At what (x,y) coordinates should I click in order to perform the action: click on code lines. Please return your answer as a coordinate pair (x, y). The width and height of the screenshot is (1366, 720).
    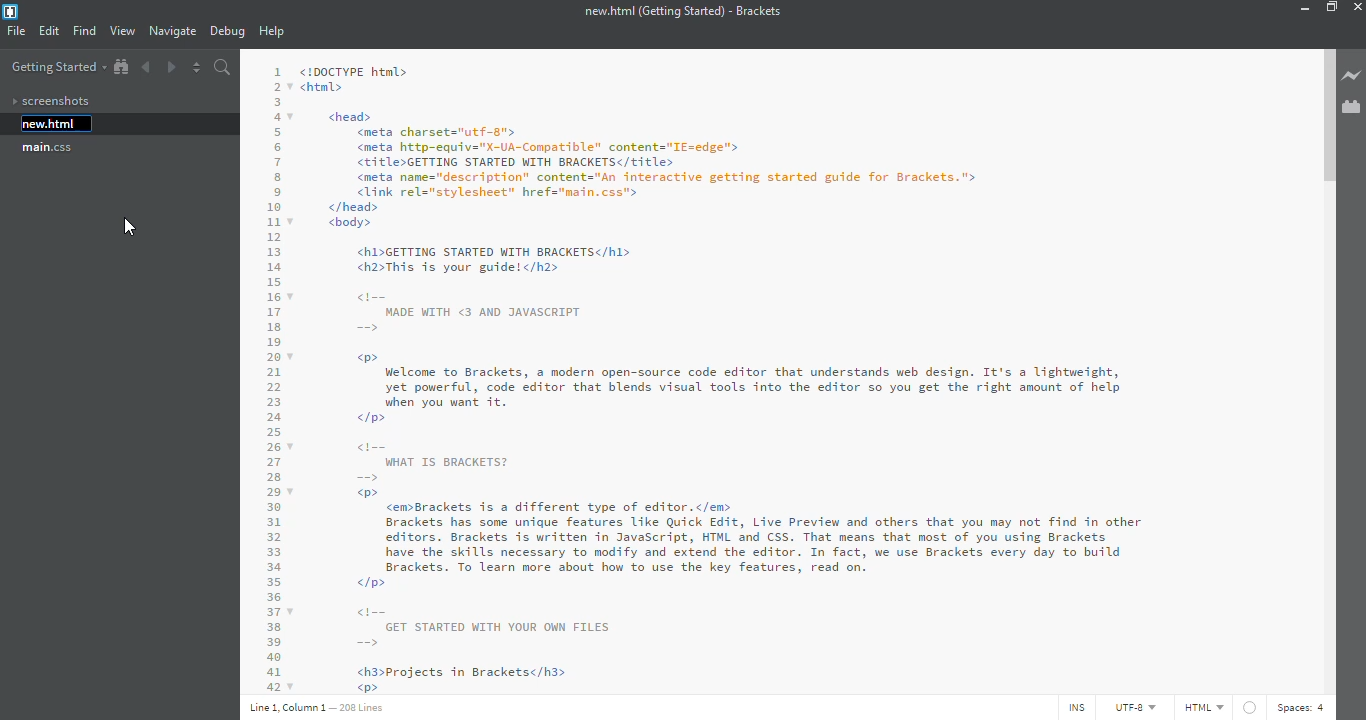
    Looking at the image, I should click on (270, 374).